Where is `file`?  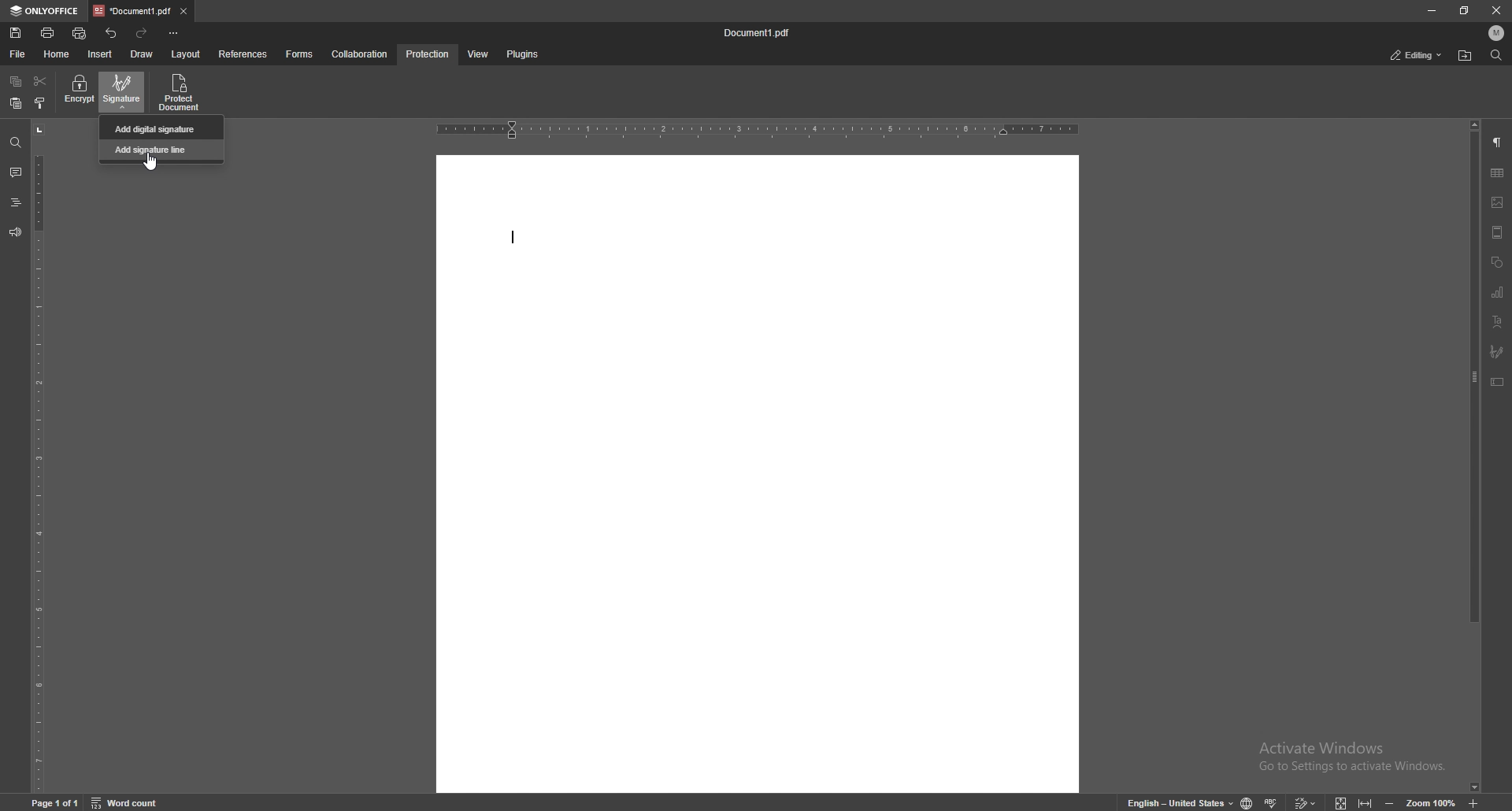
file is located at coordinates (19, 54).